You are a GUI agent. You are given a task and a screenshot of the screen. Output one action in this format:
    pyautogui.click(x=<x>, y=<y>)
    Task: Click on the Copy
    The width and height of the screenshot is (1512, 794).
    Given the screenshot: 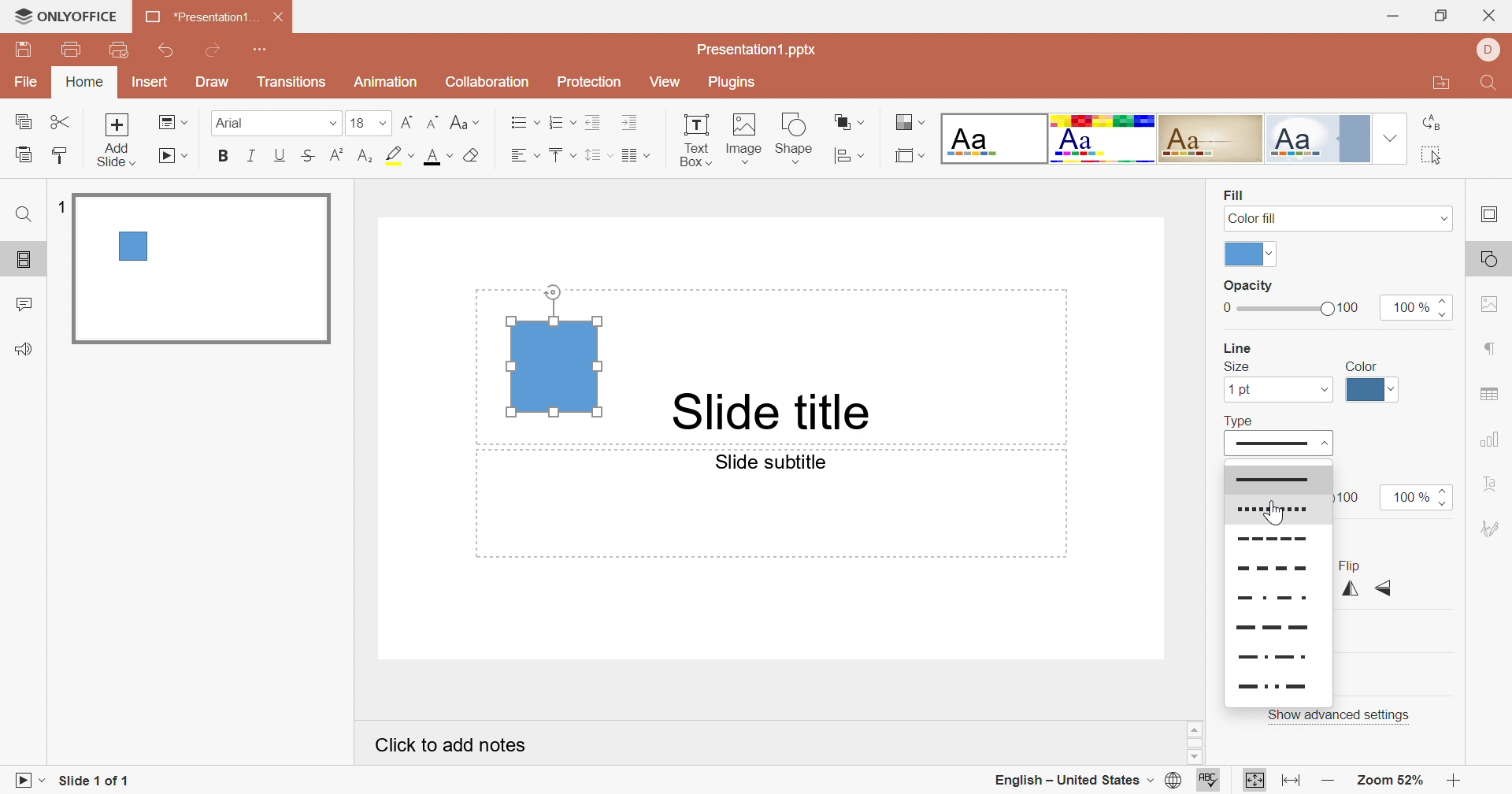 What is the action you would take?
    pyautogui.click(x=24, y=123)
    